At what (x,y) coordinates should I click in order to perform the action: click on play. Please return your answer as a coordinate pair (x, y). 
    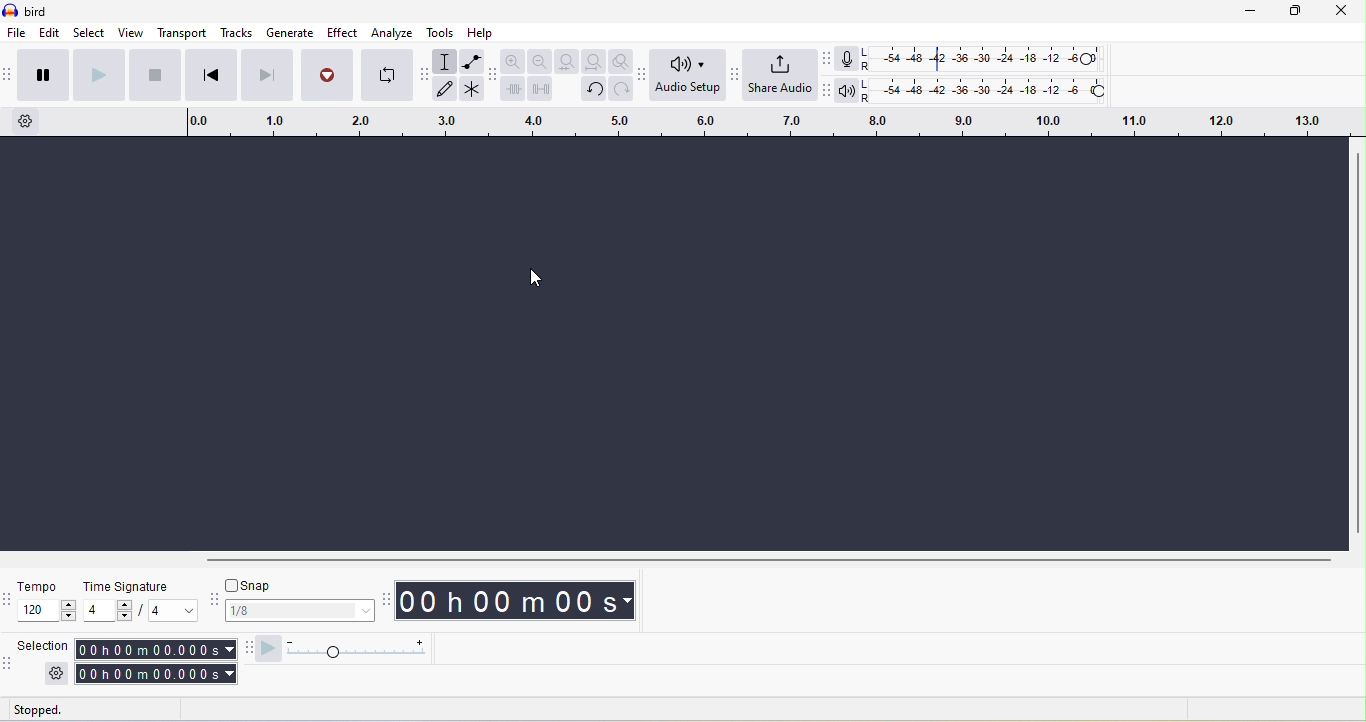
    Looking at the image, I should click on (94, 74).